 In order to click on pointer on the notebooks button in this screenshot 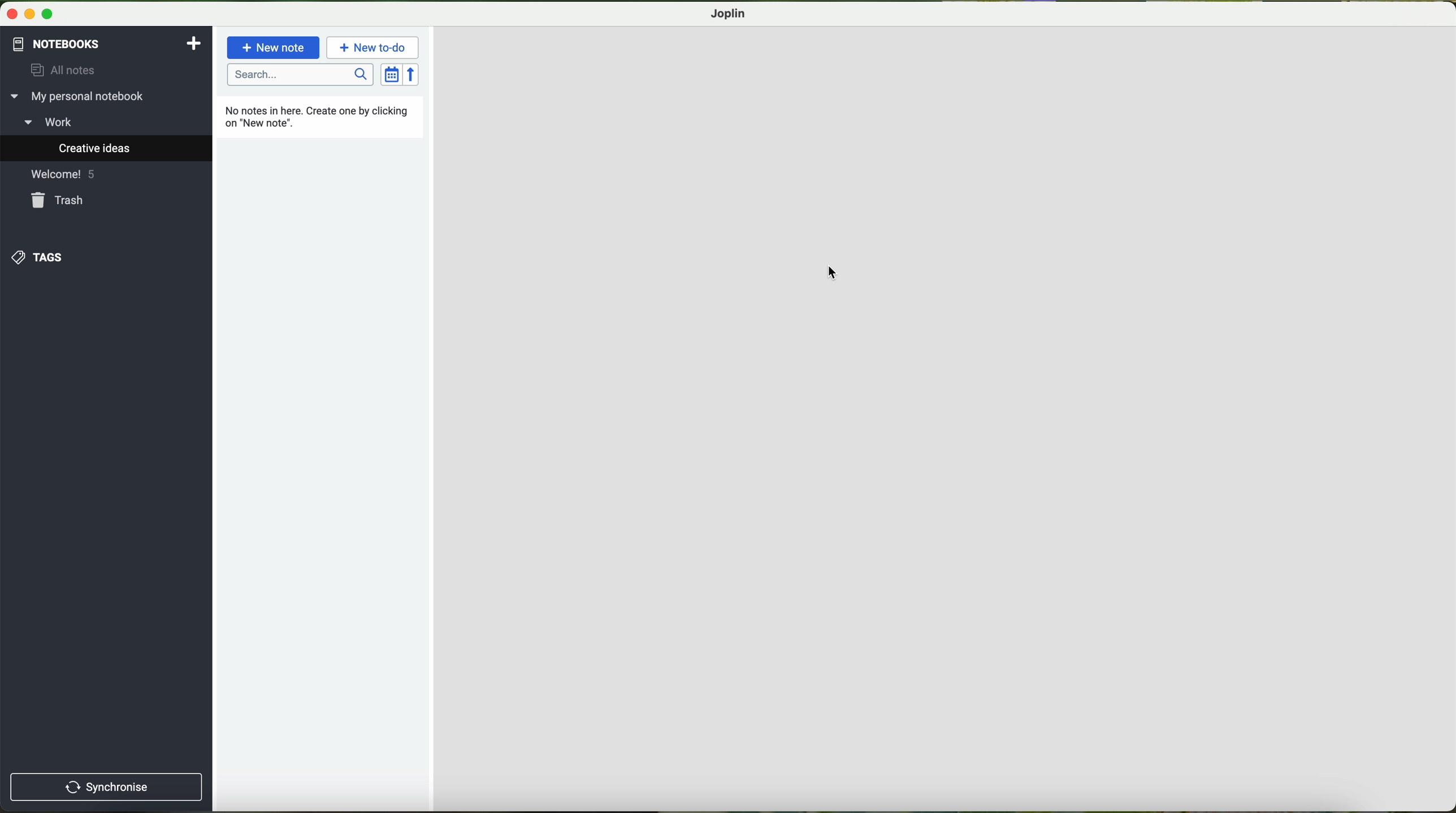, I will do `click(75, 44)`.